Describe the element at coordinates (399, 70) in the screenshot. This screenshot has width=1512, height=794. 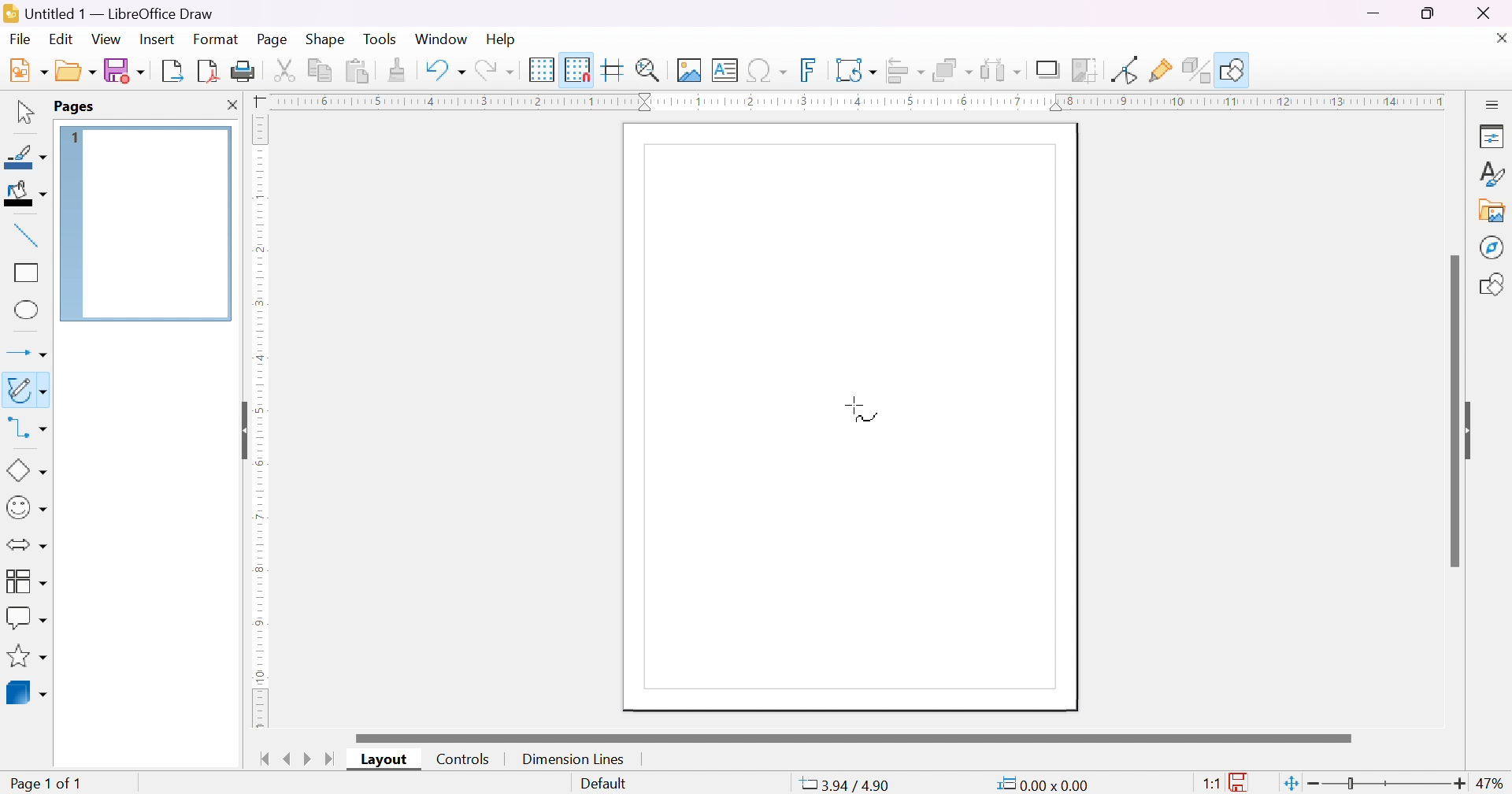
I see `clone formatting` at that location.